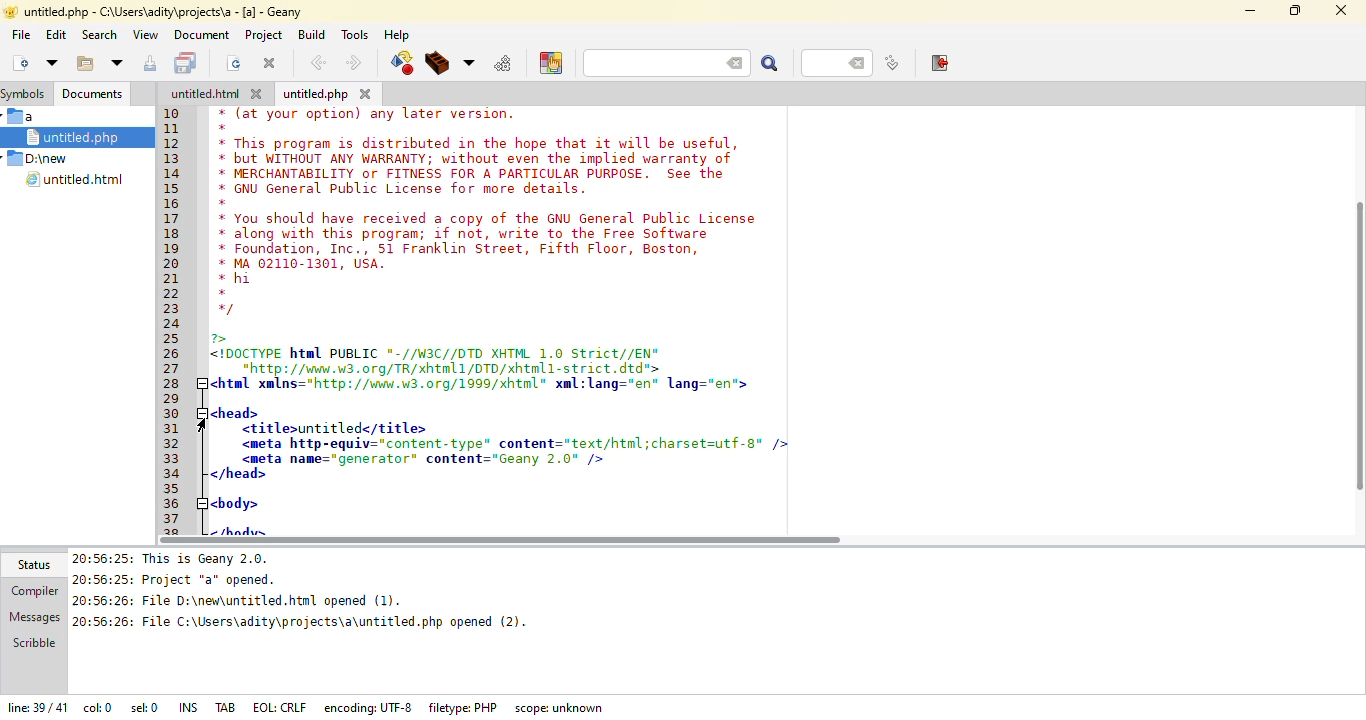 This screenshot has height=720, width=1366. Describe the element at coordinates (23, 116) in the screenshot. I see `a` at that location.